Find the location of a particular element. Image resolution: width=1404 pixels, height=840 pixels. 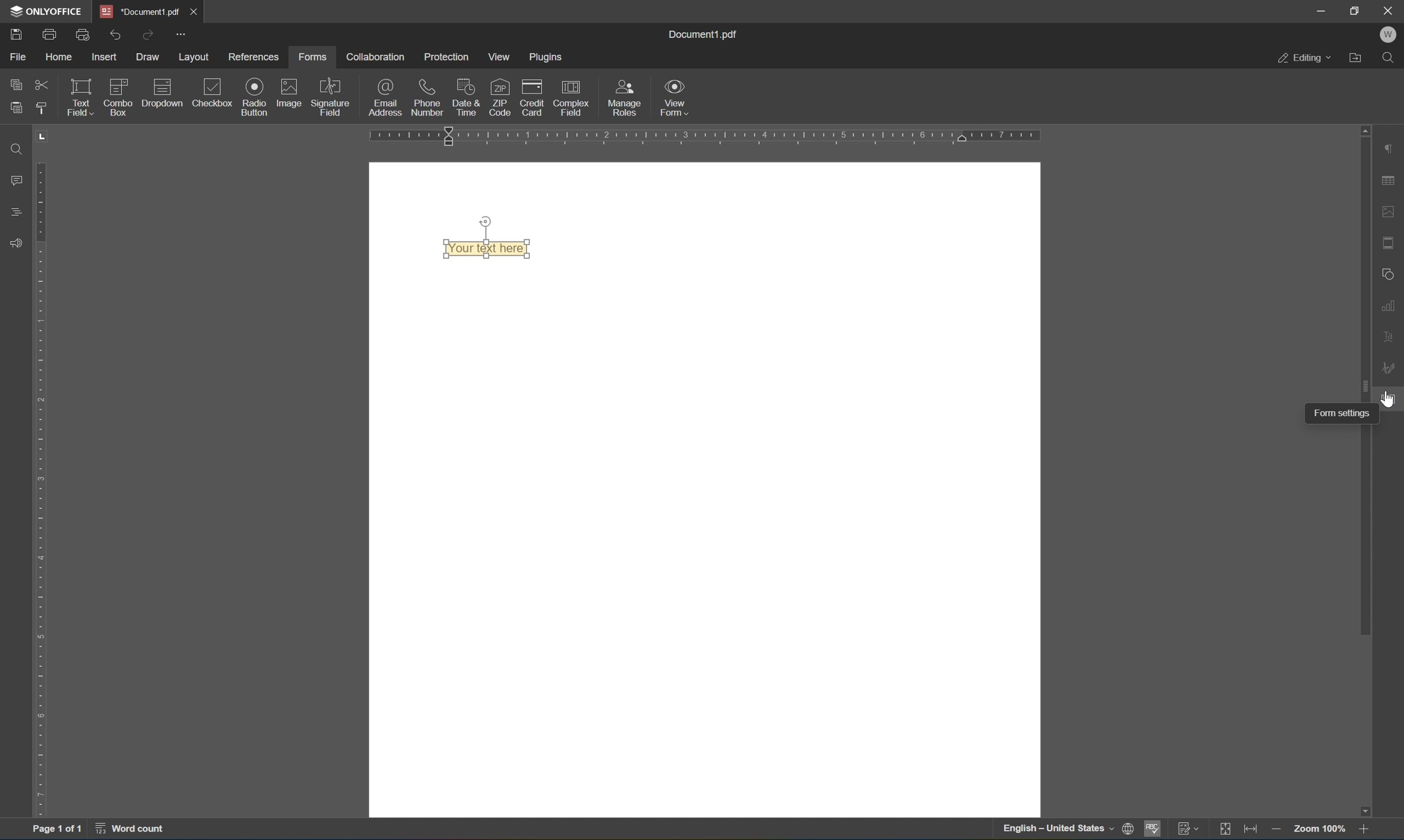

phone number is located at coordinates (427, 96).